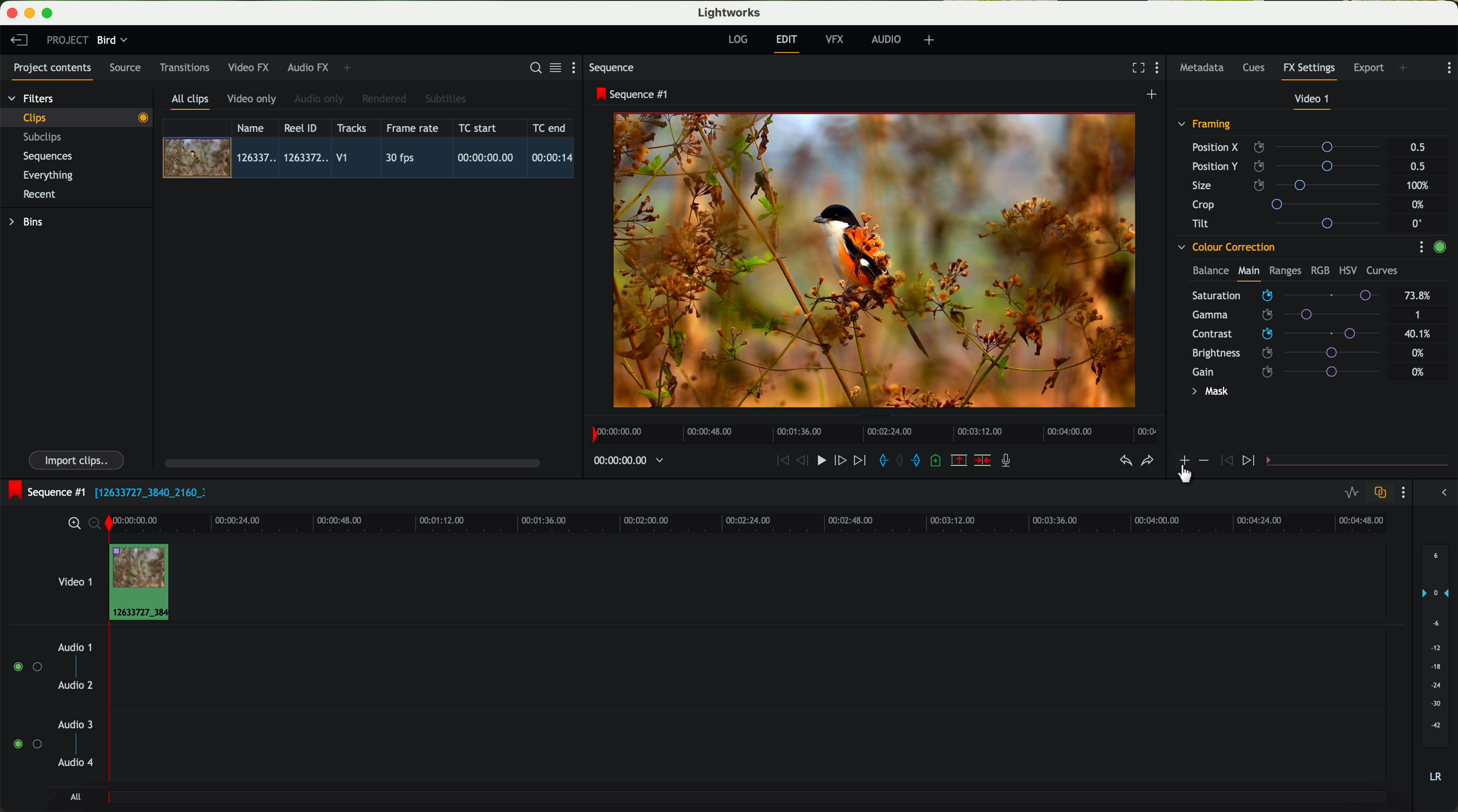  Describe the element at coordinates (28, 222) in the screenshot. I see `bins` at that location.